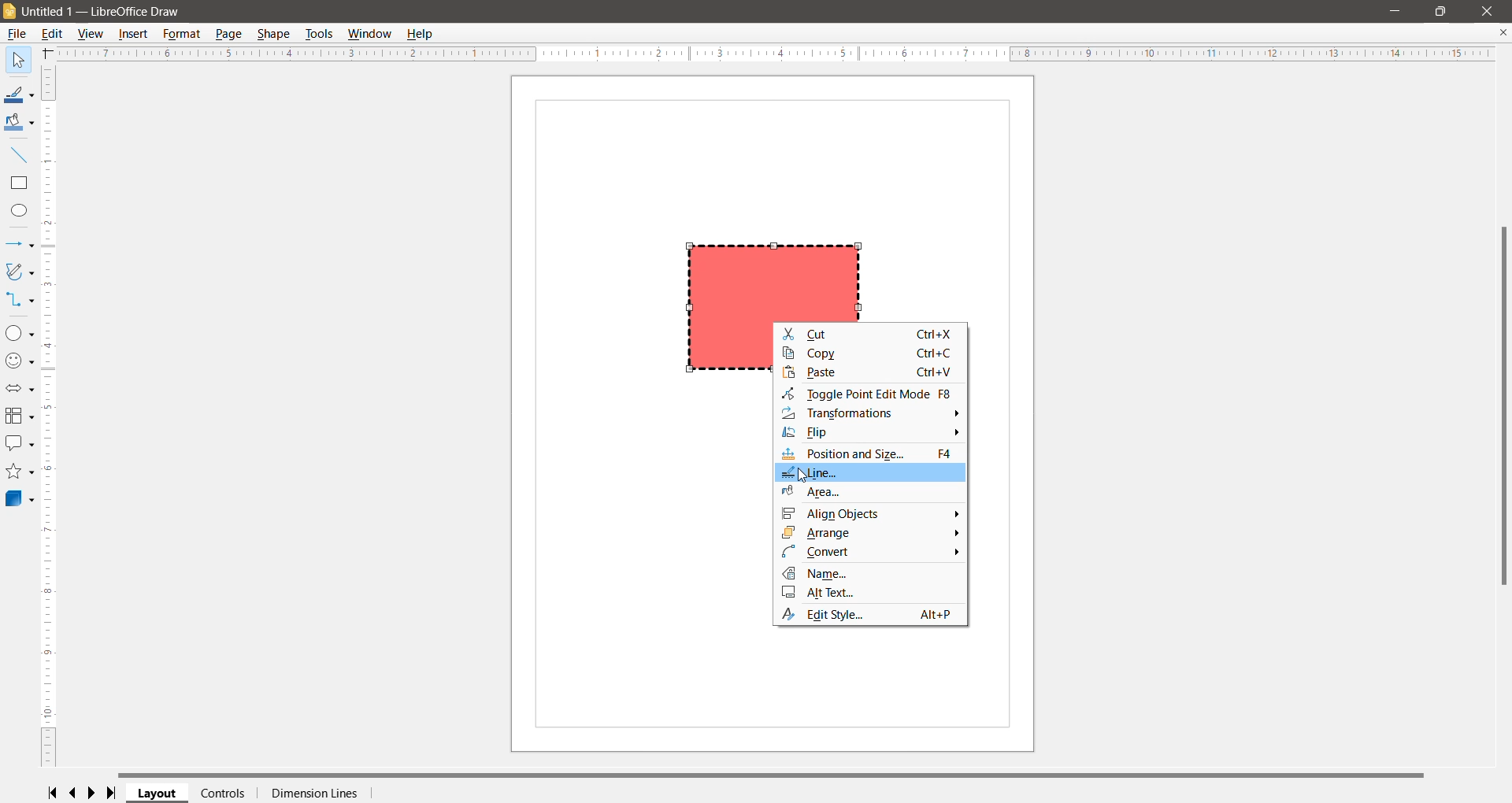  I want to click on Flip, so click(812, 434).